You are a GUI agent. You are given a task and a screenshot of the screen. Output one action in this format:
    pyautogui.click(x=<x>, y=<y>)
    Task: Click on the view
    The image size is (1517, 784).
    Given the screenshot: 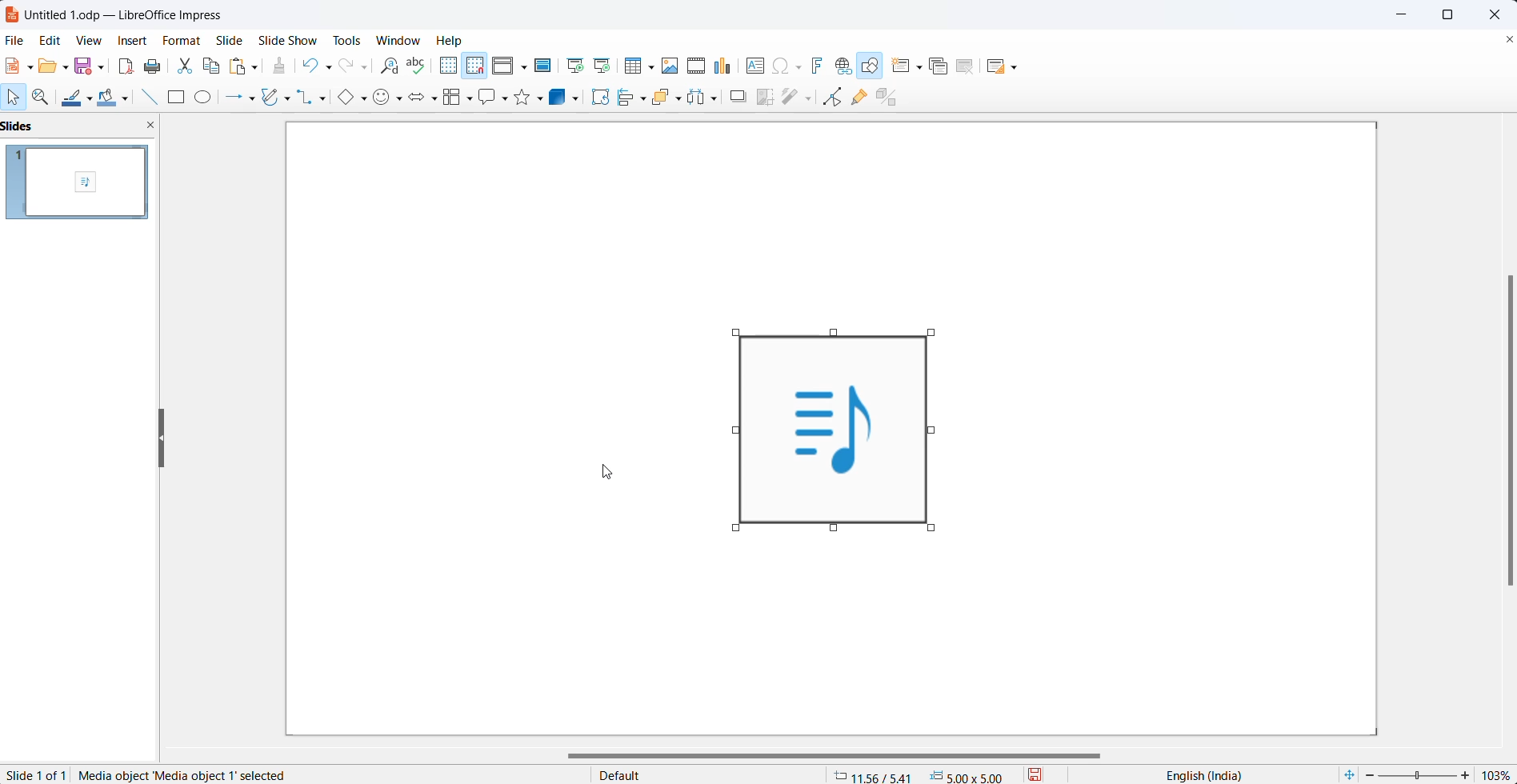 What is the action you would take?
    pyautogui.click(x=90, y=41)
    